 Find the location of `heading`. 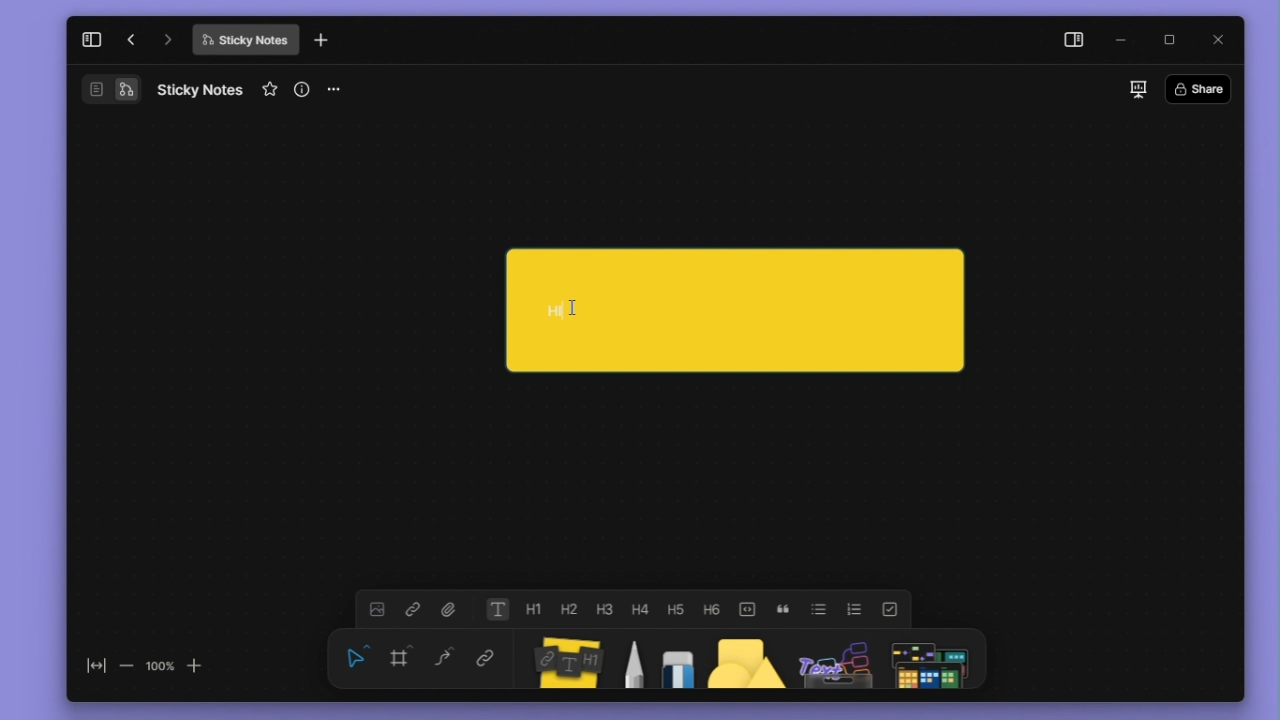

heading is located at coordinates (718, 611).